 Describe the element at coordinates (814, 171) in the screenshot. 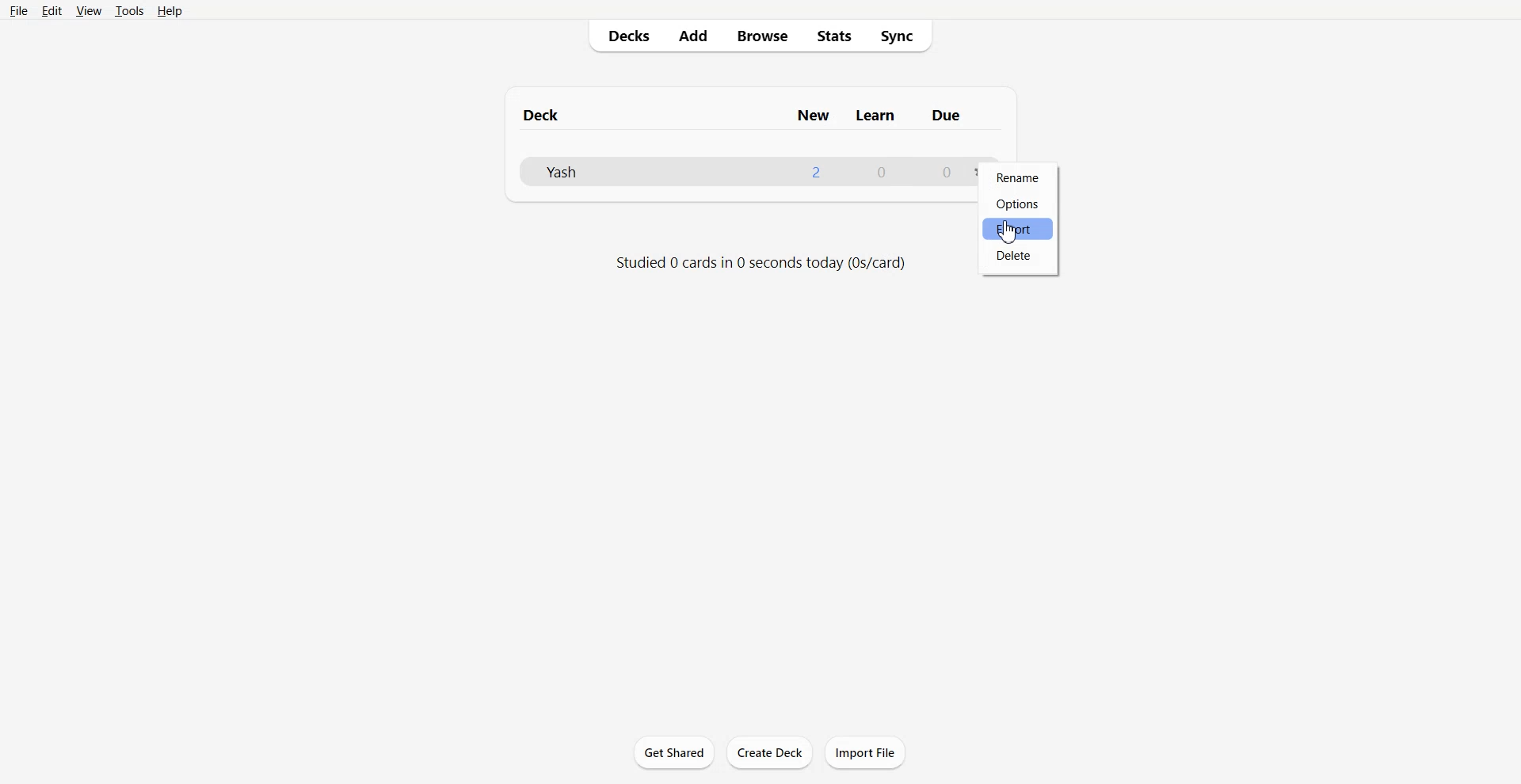

I see `1` at that location.